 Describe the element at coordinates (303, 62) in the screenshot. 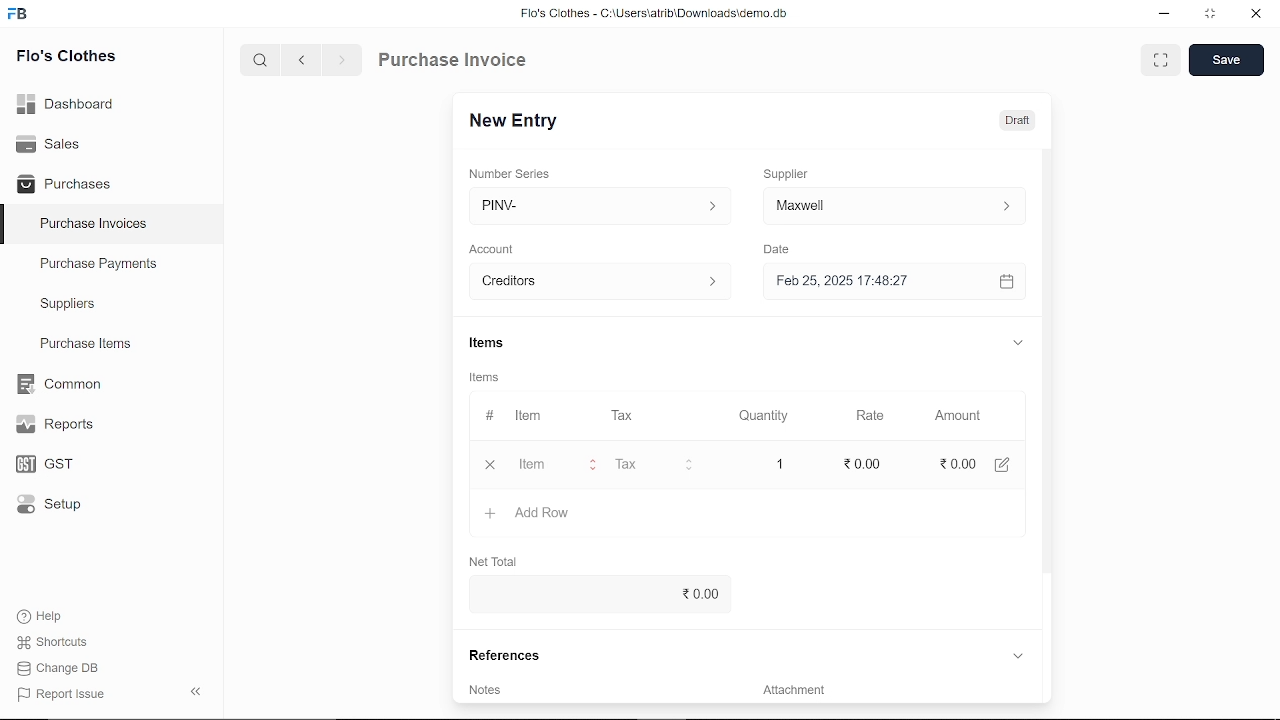

I see `previous` at that location.